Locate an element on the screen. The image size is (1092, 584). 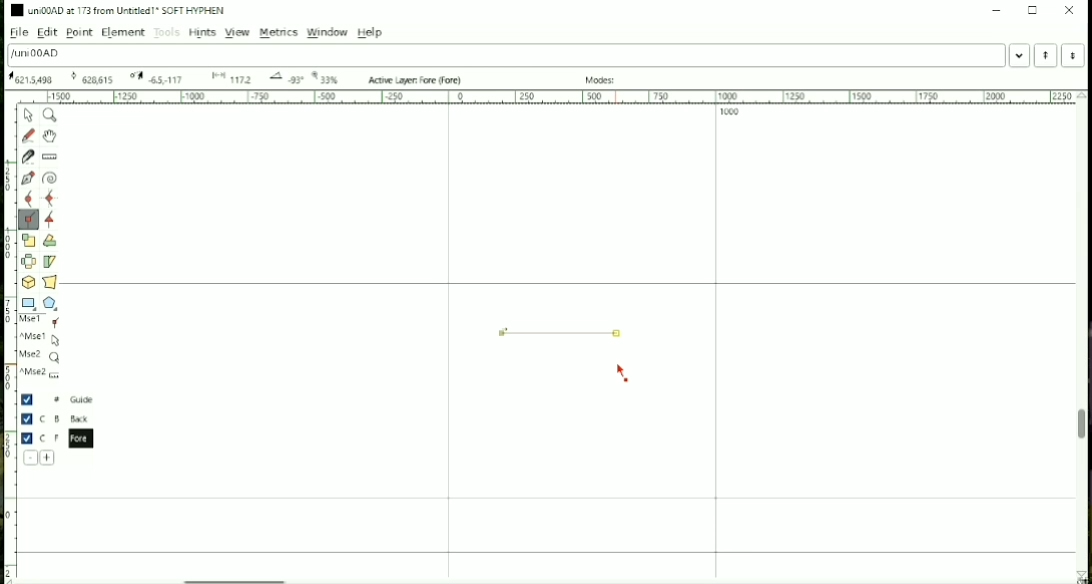
Mse1 is located at coordinates (43, 322).